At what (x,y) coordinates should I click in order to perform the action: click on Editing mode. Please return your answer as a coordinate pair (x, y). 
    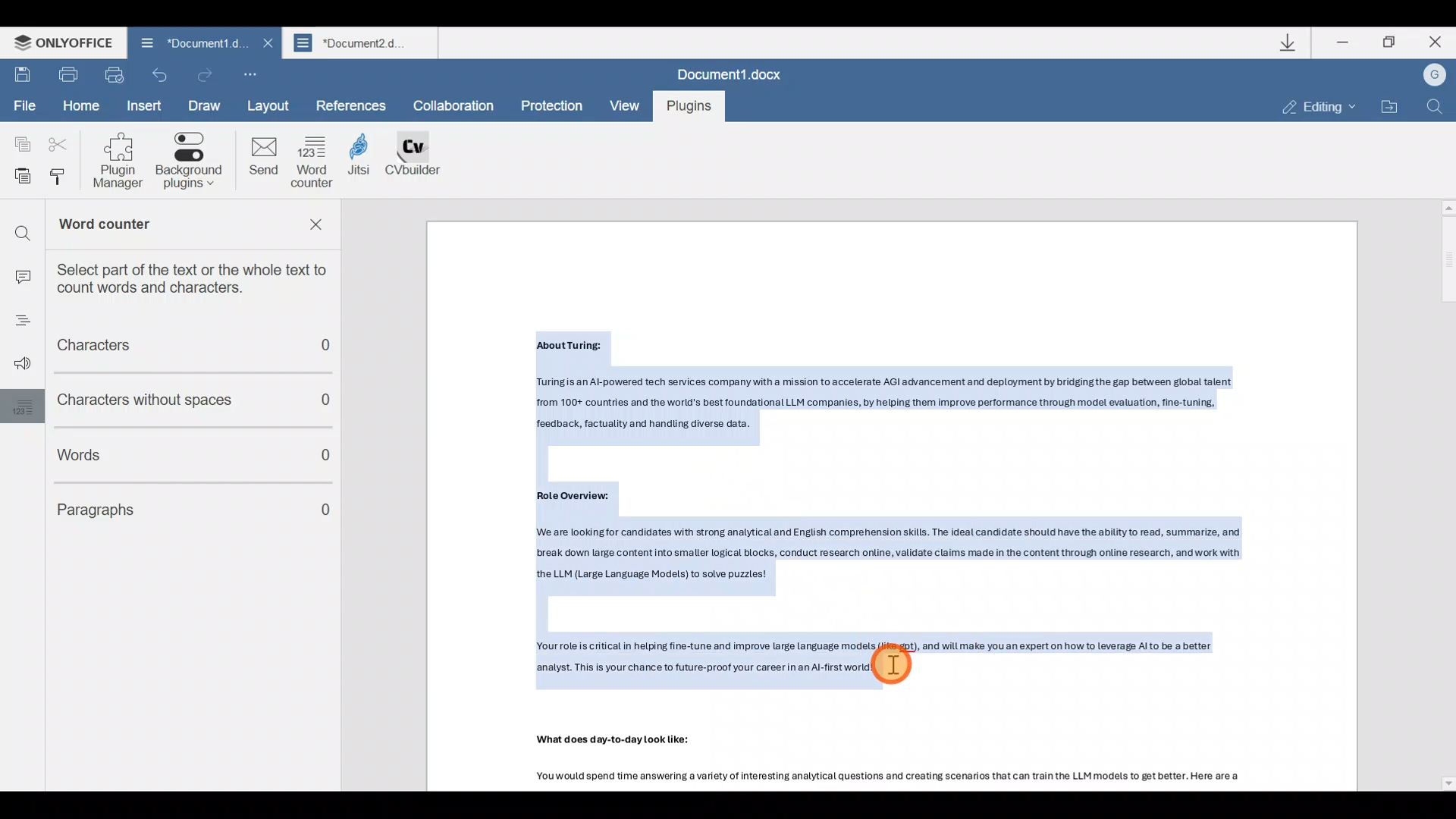
    Looking at the image, I should click on (1309, 107).